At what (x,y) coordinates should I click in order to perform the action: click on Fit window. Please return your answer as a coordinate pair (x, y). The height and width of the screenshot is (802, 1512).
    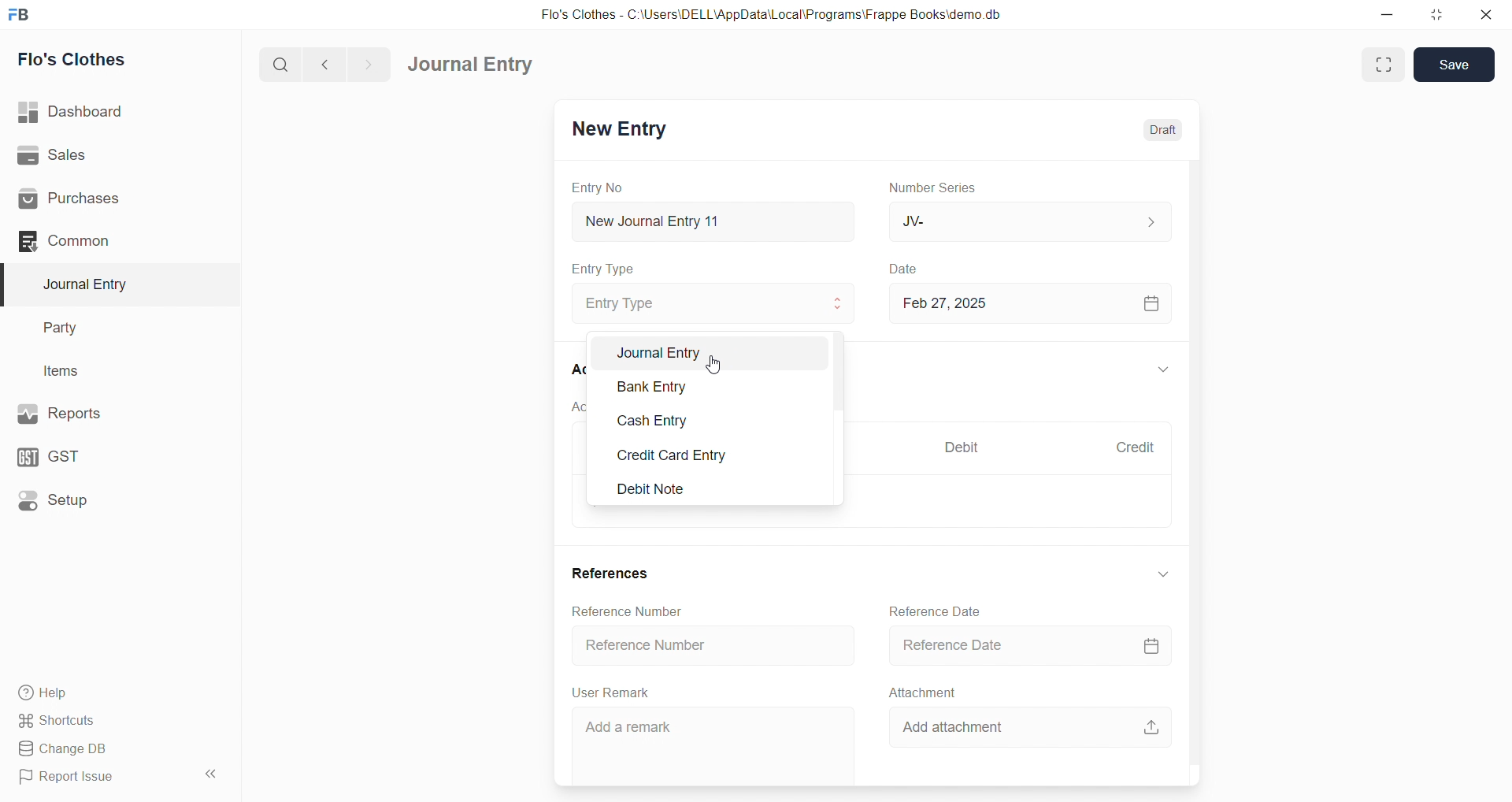
    Looking at the image, I should click on (1381, 65).